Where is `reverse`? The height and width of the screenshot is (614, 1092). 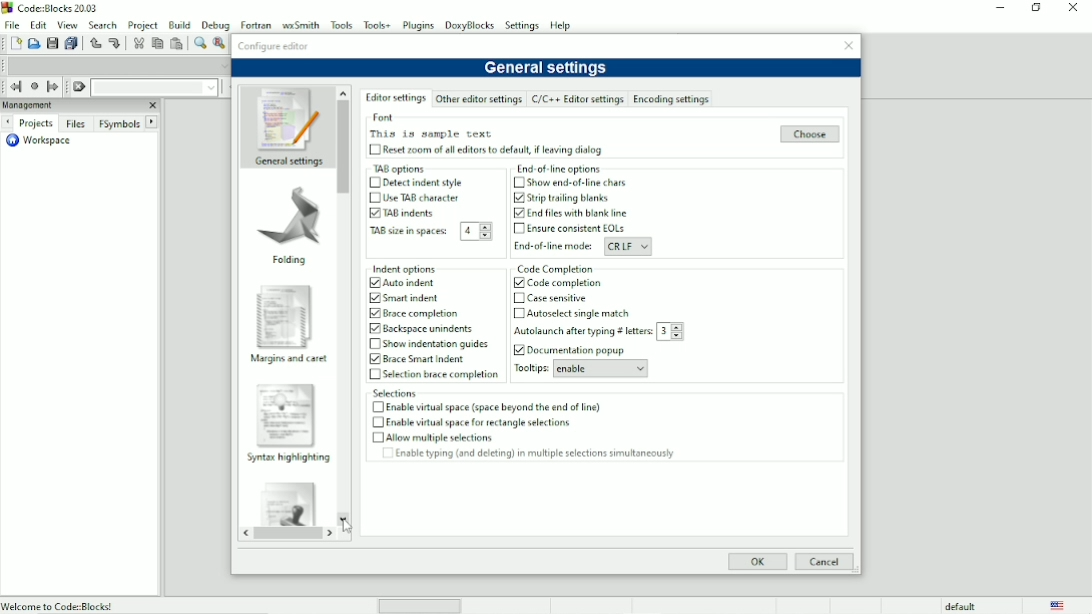 reverse is located at coordinates (244, 534).